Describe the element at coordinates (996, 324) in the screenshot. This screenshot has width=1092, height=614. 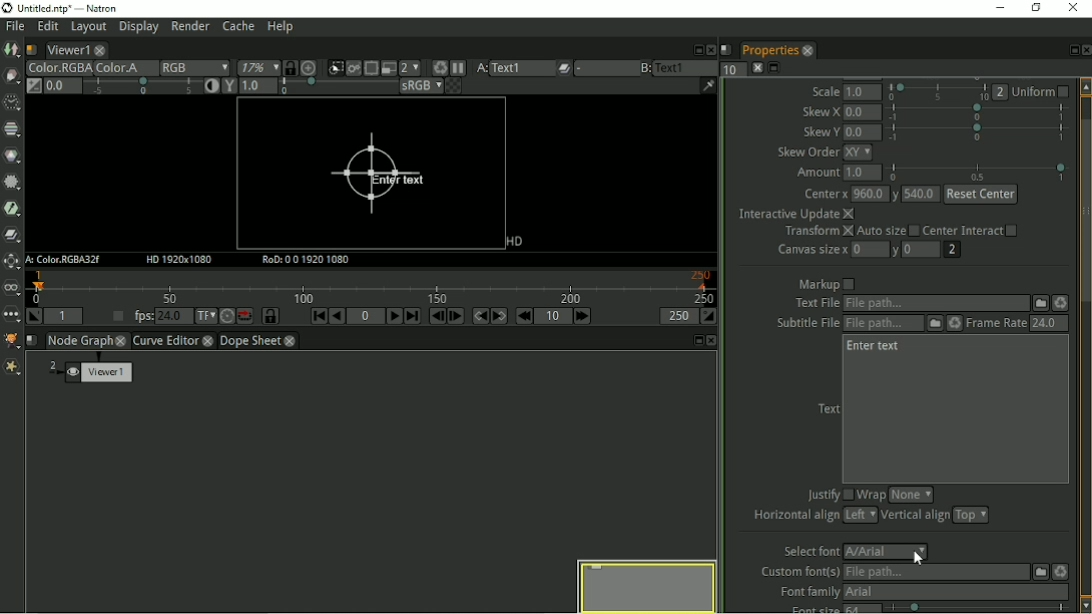
I see `Frame Rate` at that location.